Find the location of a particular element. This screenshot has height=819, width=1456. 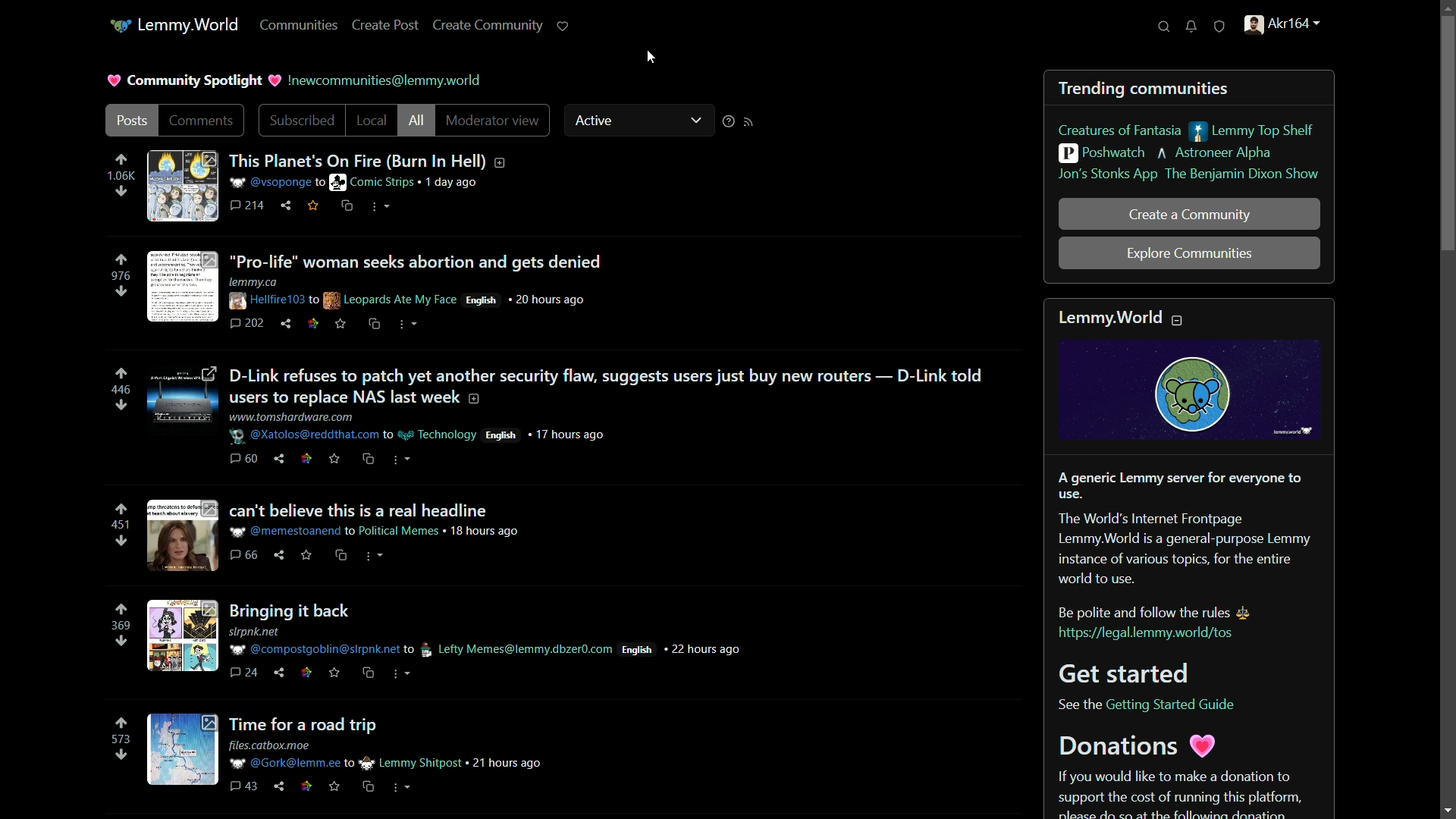

search is located at coordinates (1166, 26).